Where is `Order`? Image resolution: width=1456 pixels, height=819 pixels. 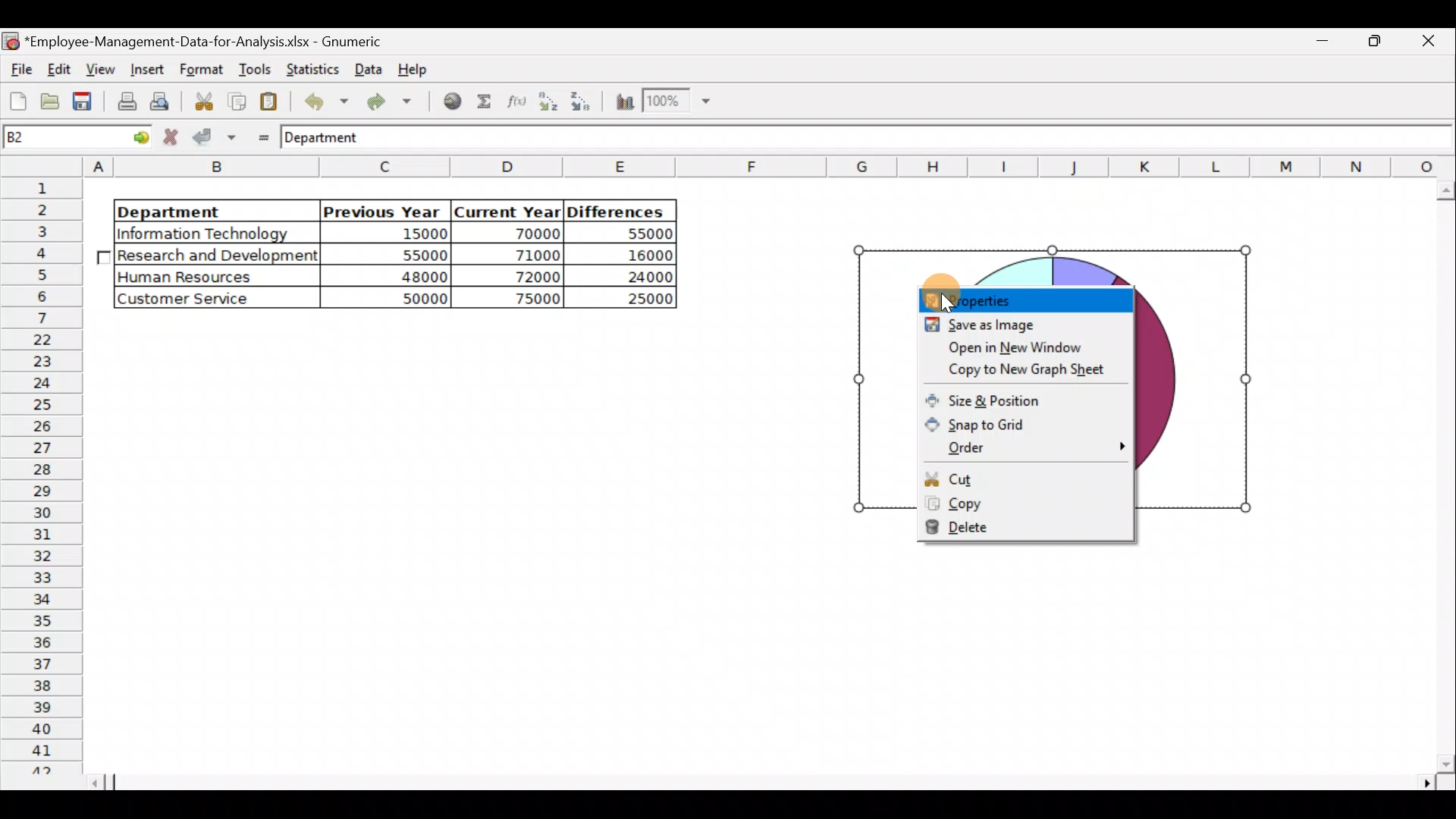 Order is located at coordinates (1031, 446).